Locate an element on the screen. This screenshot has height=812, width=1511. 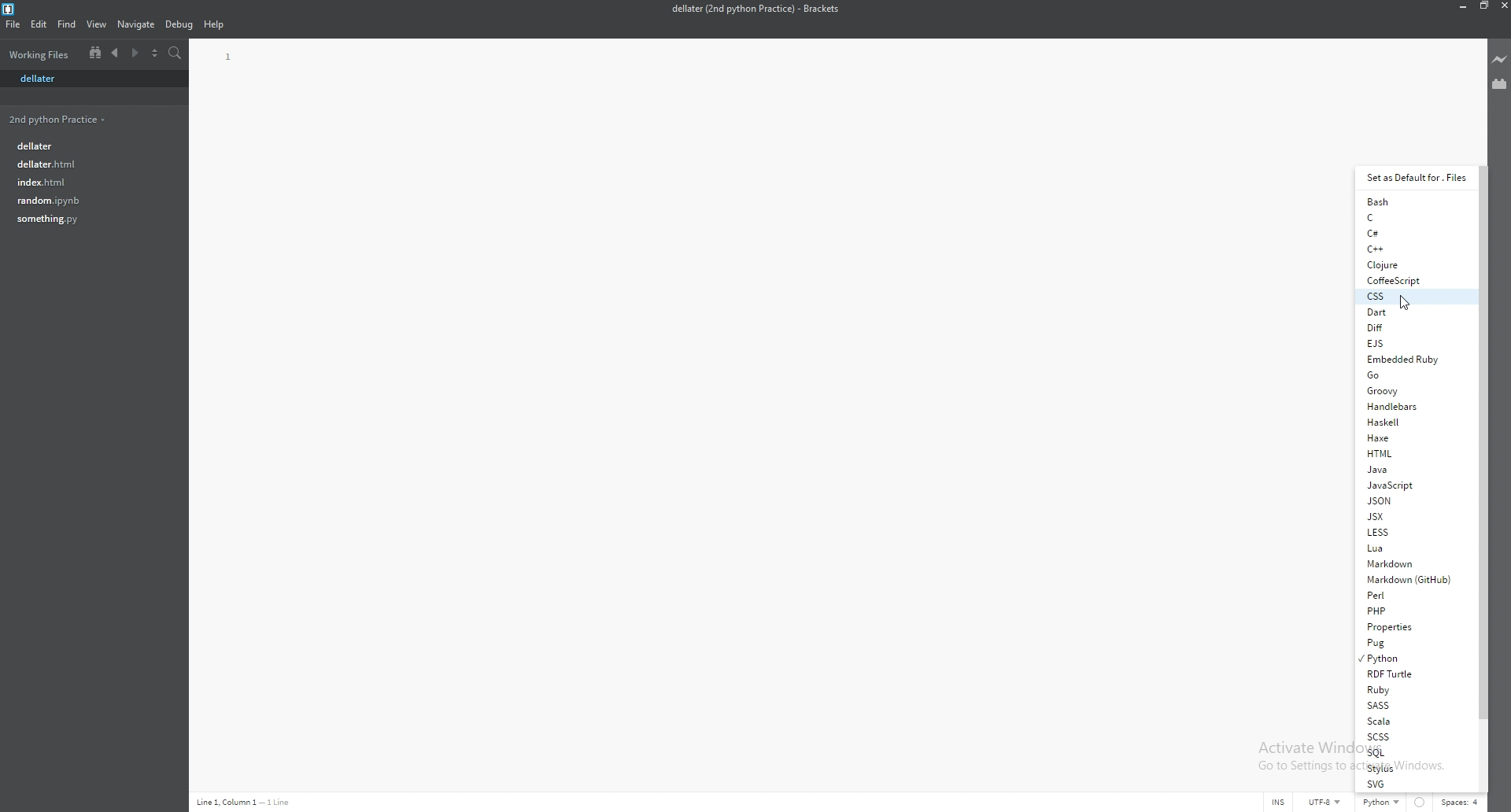
file is located at coordinates (87, 164).